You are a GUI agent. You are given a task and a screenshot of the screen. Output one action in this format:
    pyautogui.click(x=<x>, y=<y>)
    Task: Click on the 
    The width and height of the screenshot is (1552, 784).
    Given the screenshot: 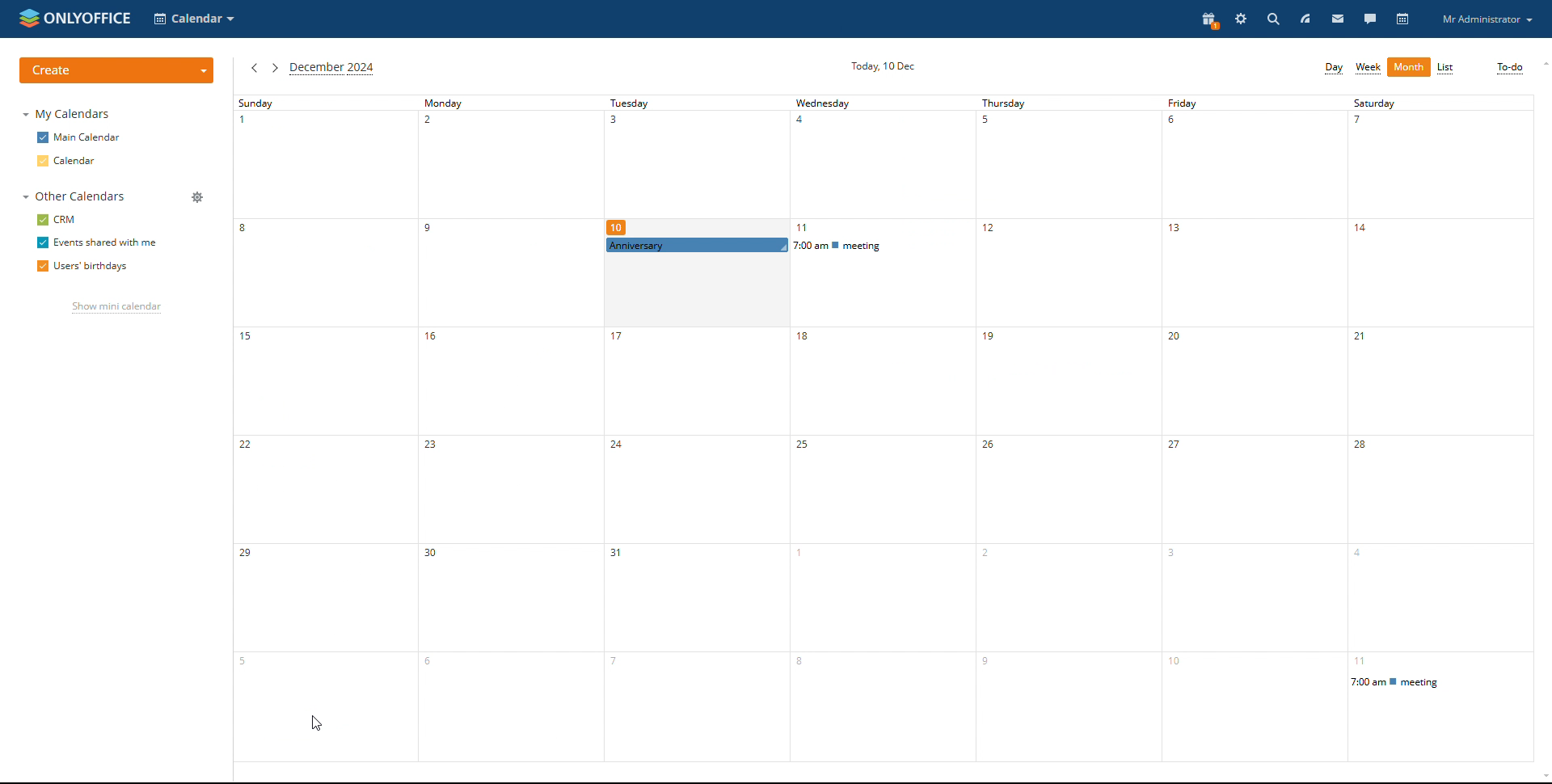 What is the action you would take?
    pyautogui.click(x=690, y=428)
    